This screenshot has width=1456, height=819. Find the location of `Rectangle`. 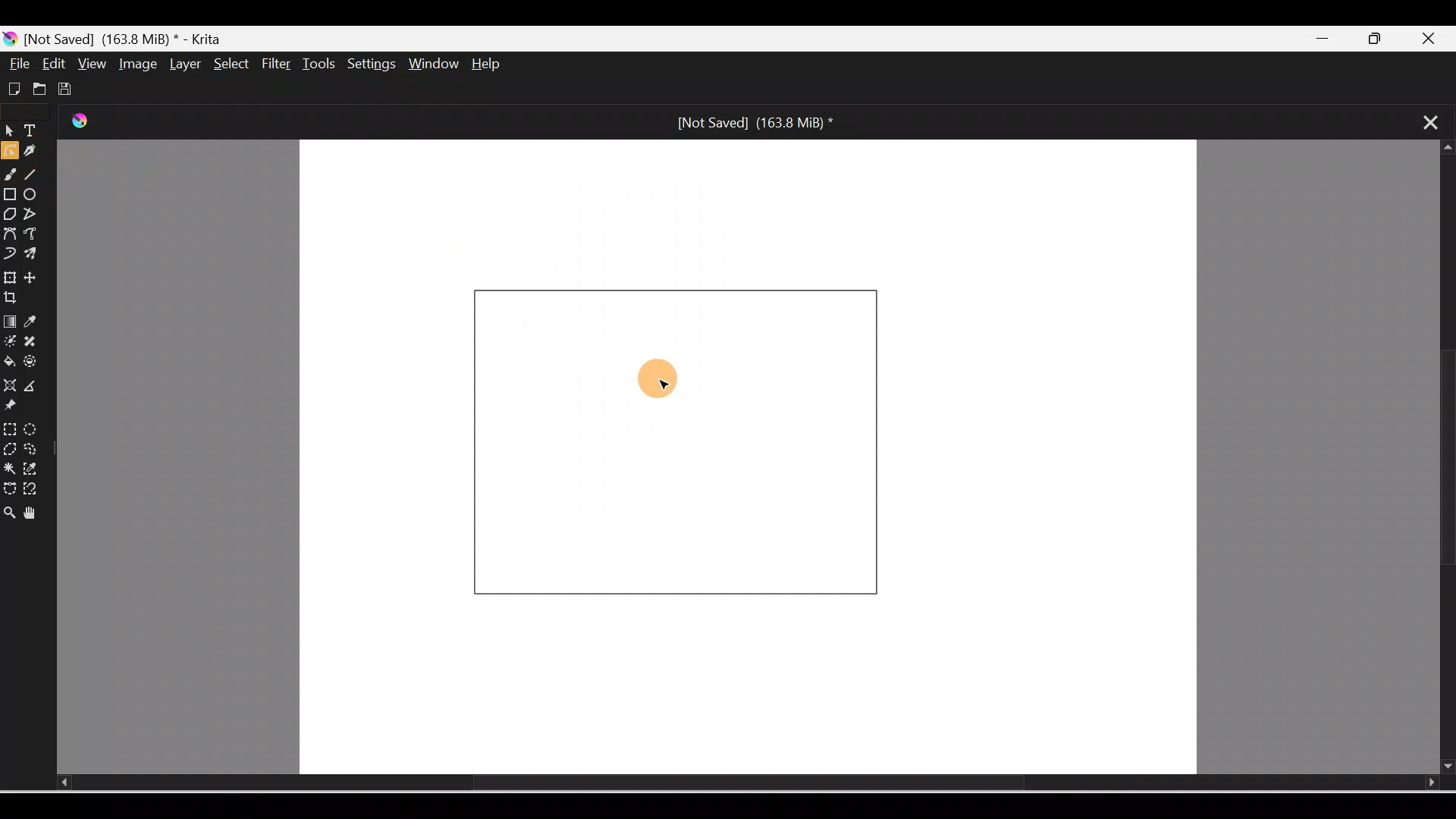

Rectangle is located at coordinates (11, 194).